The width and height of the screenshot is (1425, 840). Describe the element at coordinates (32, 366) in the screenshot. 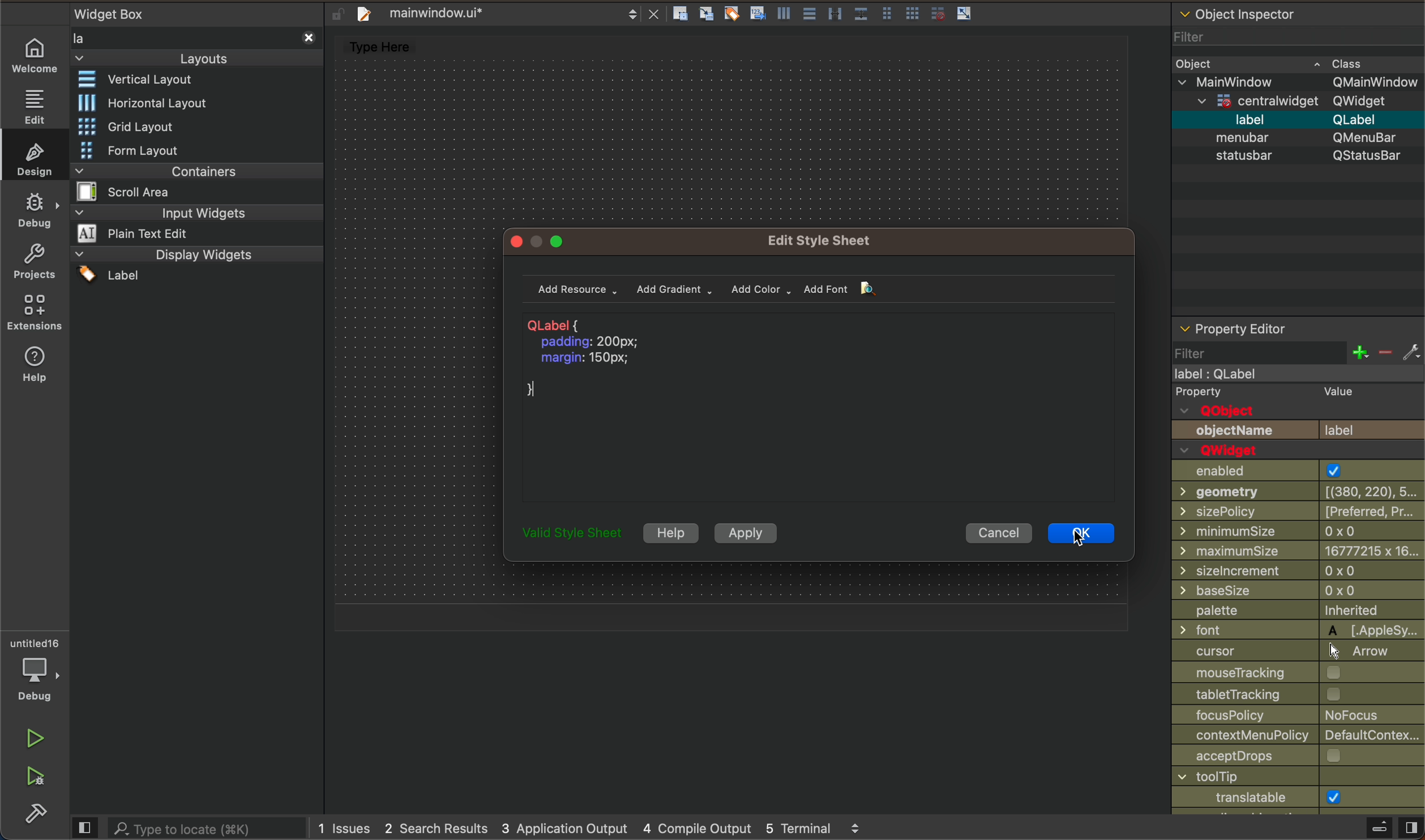

I see `help` at that location.